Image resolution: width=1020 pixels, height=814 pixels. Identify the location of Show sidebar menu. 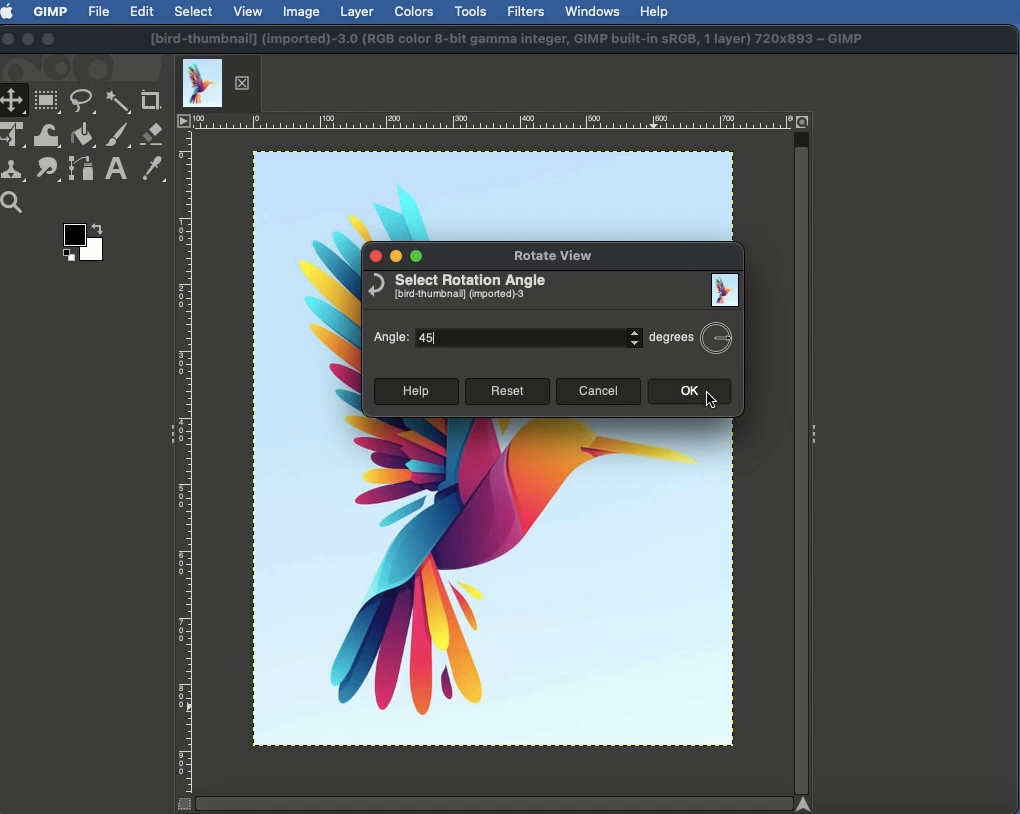
(167, 436).